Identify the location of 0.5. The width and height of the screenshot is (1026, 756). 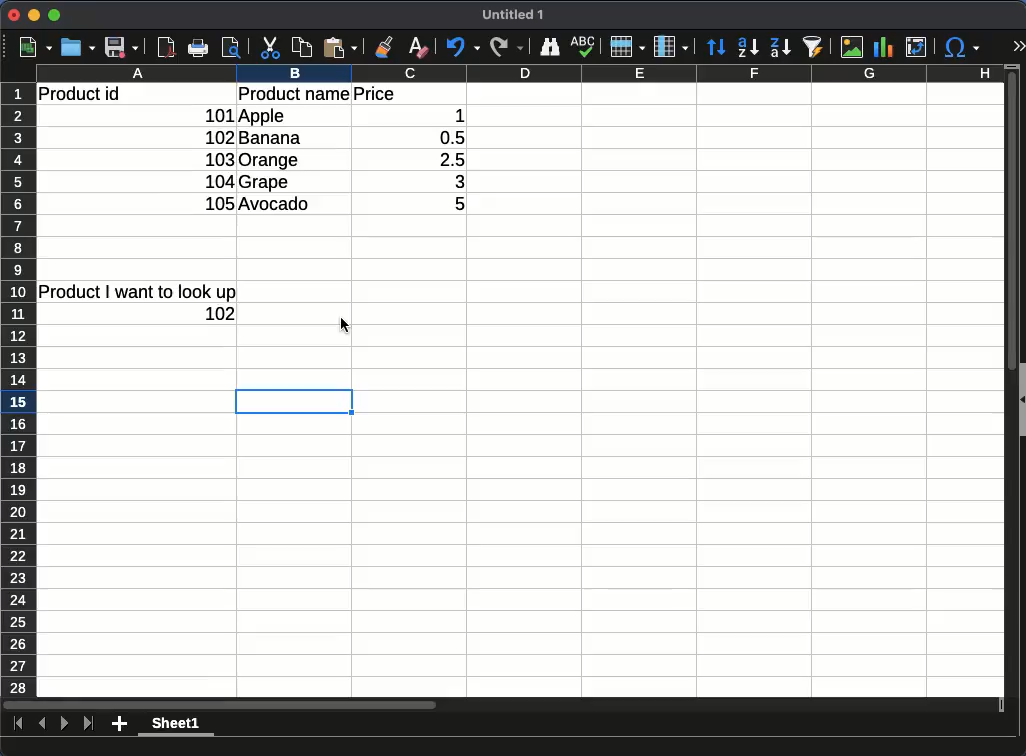
(446, 138).